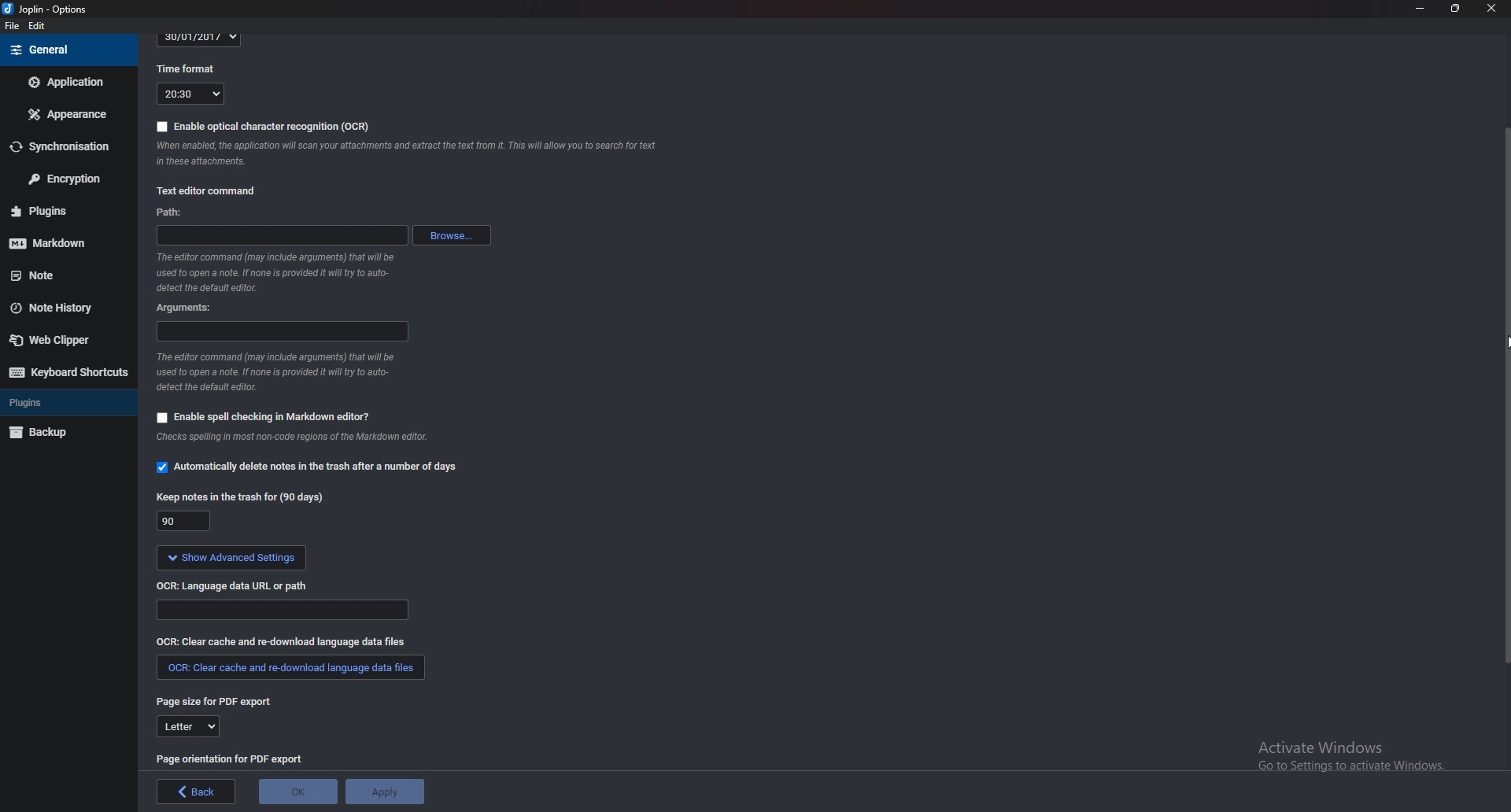 The height and width of the screenshot is (812, 1511). I want to click on ocr Language data url or path, so click(235, 585).